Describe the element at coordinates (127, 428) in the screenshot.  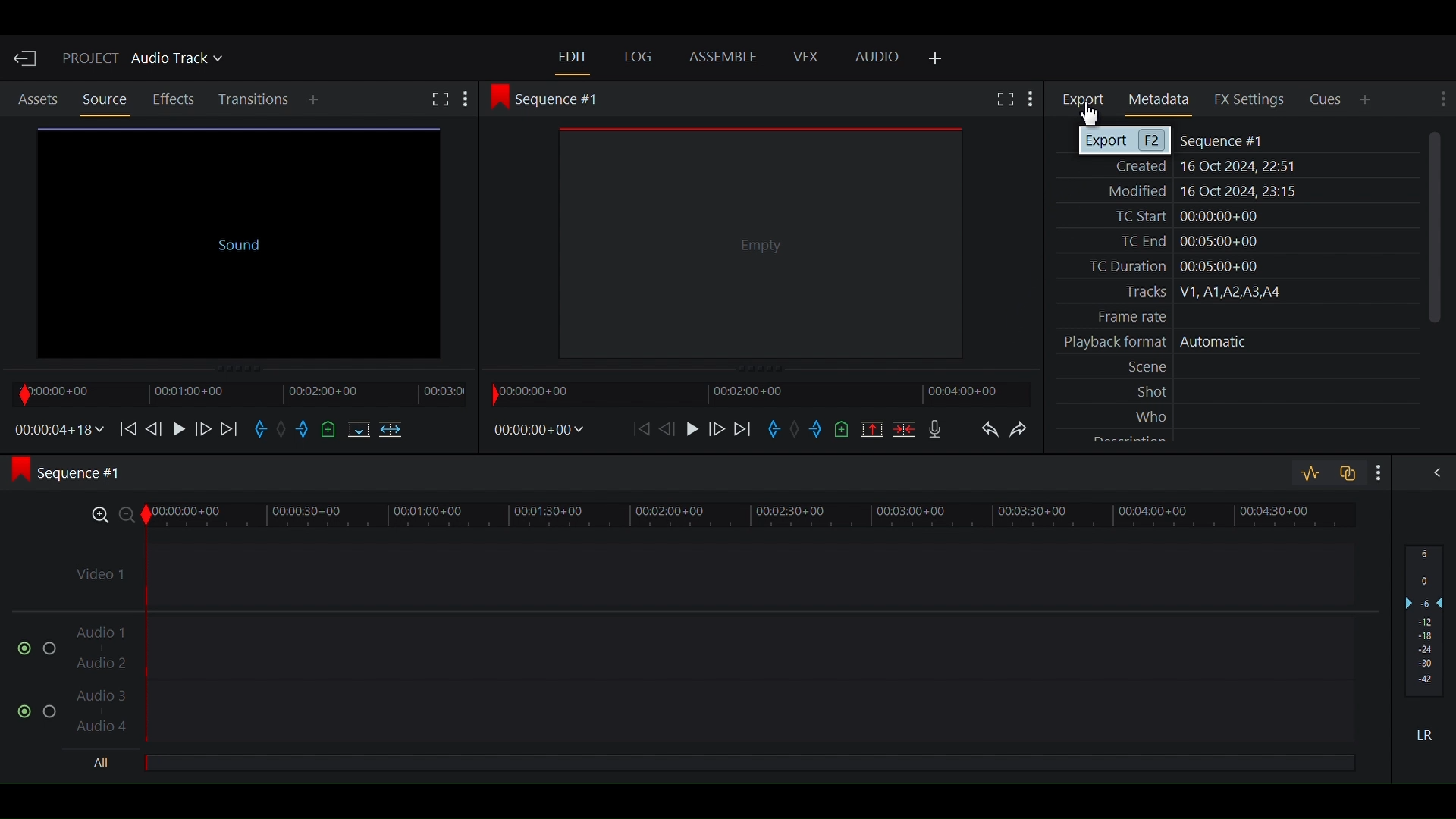
I see `Move Backward` at that location.